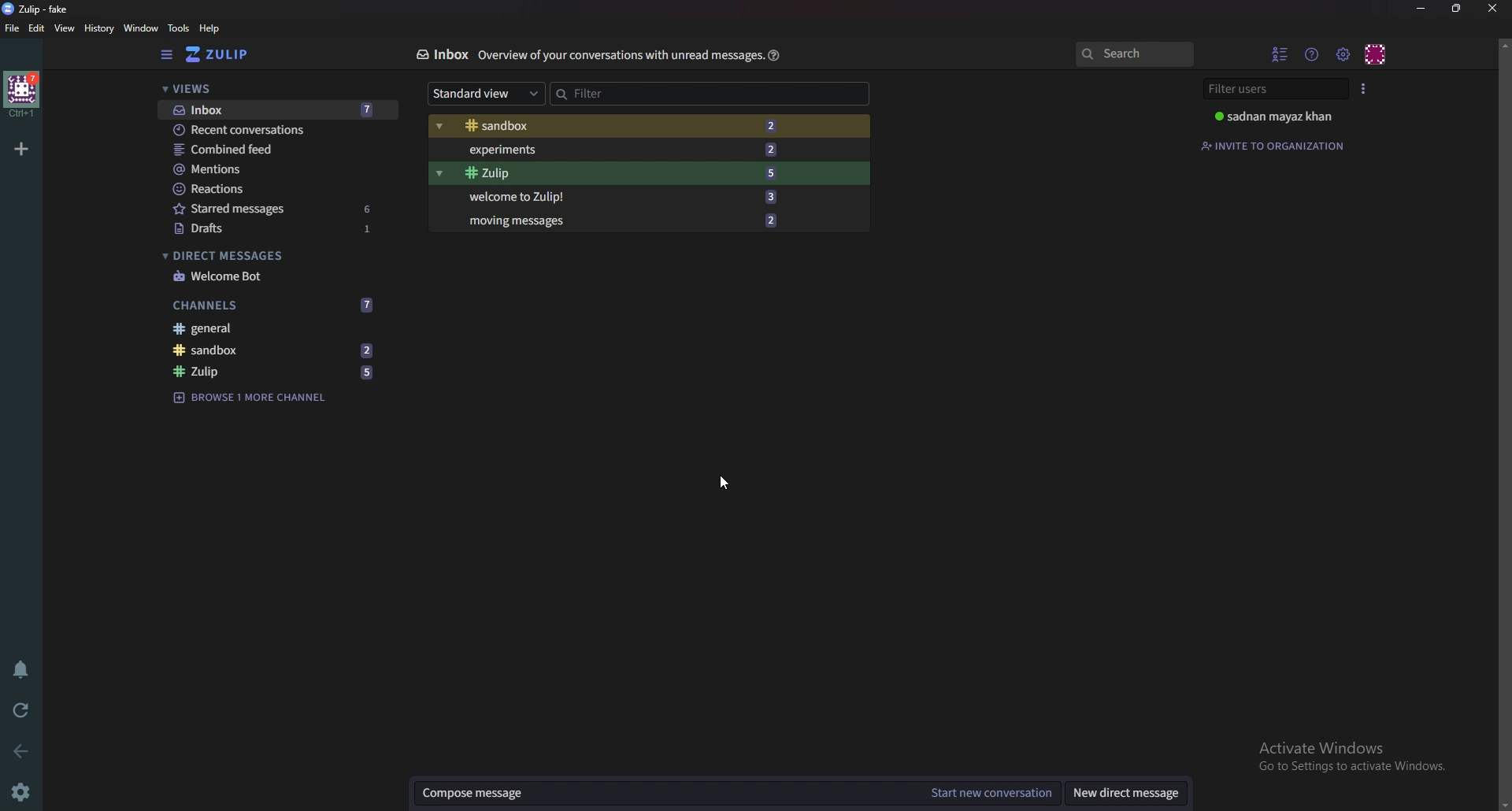  I want to click on Inbox, so click(442, 55).